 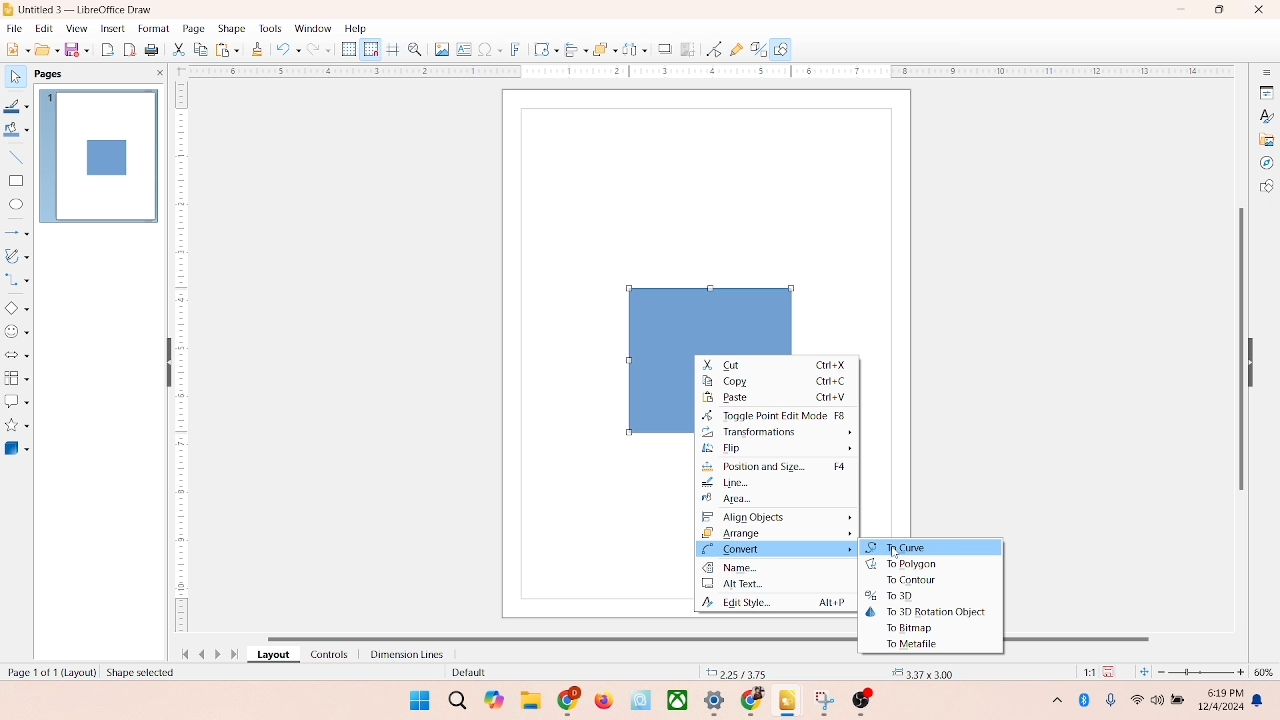 What do you see at coordinates (17, 106) in the screenshot?
I see `line color` at bounding box center [17, 106].